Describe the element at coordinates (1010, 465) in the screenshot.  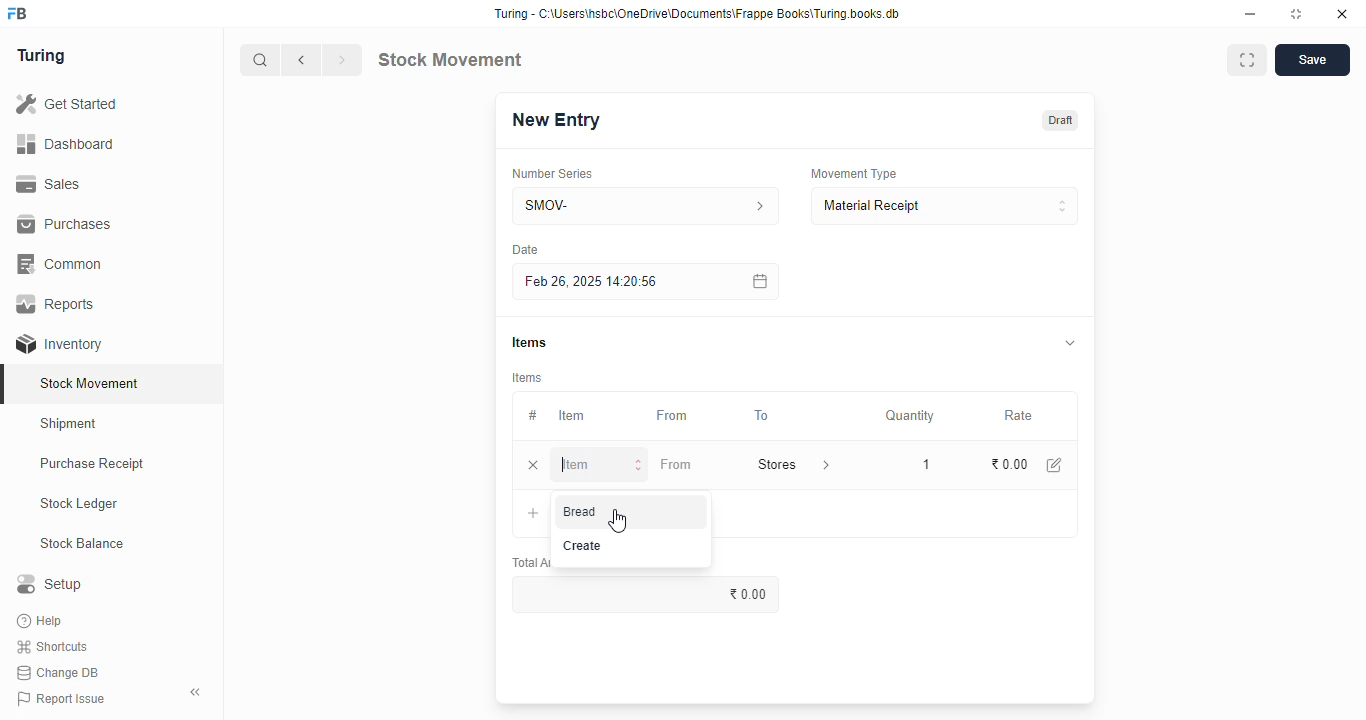
I see `₹0.00` at that location.